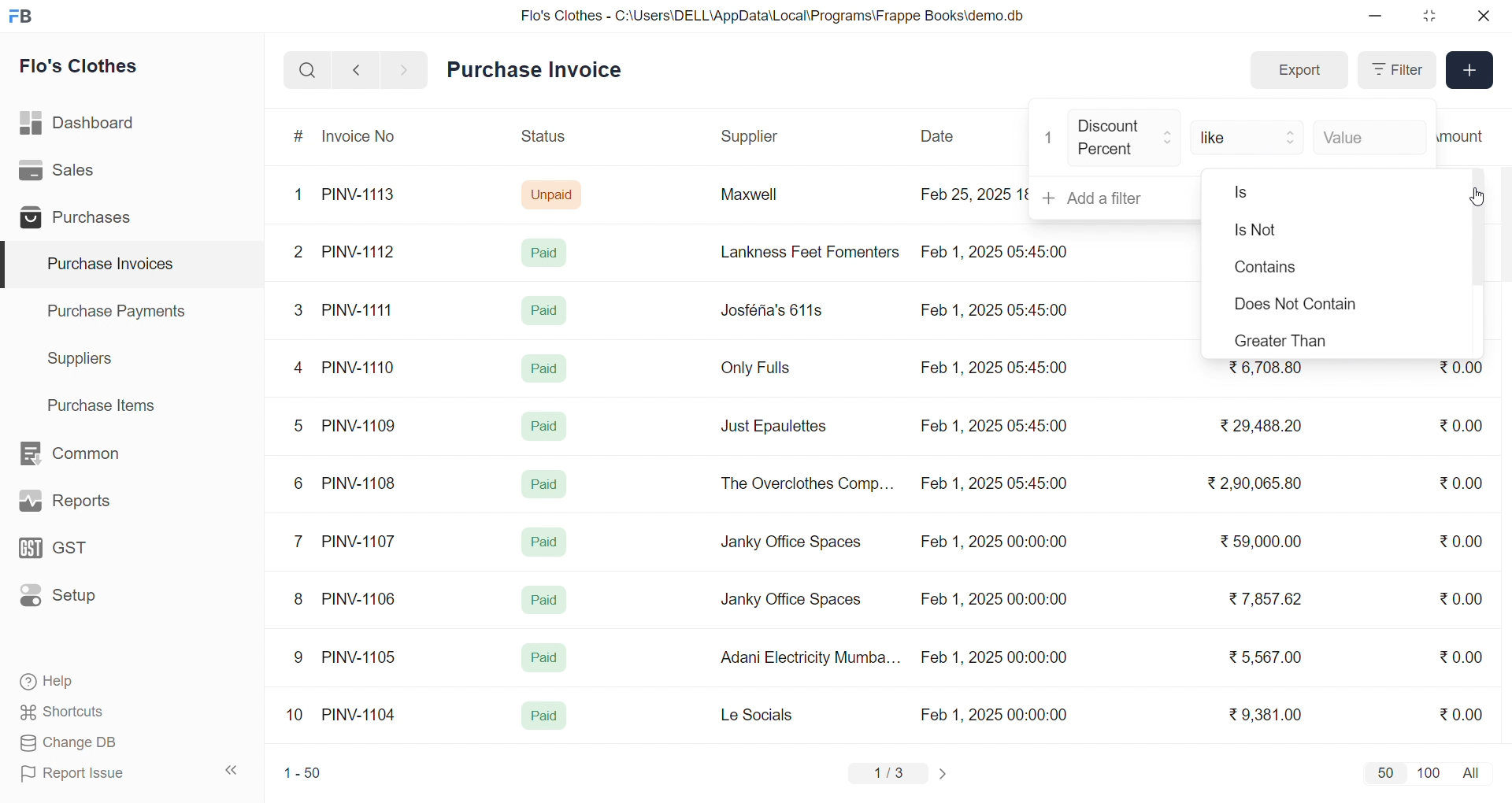 This screenshot has height=803, width=1512. I want to click on Sales, so click(81, 173).